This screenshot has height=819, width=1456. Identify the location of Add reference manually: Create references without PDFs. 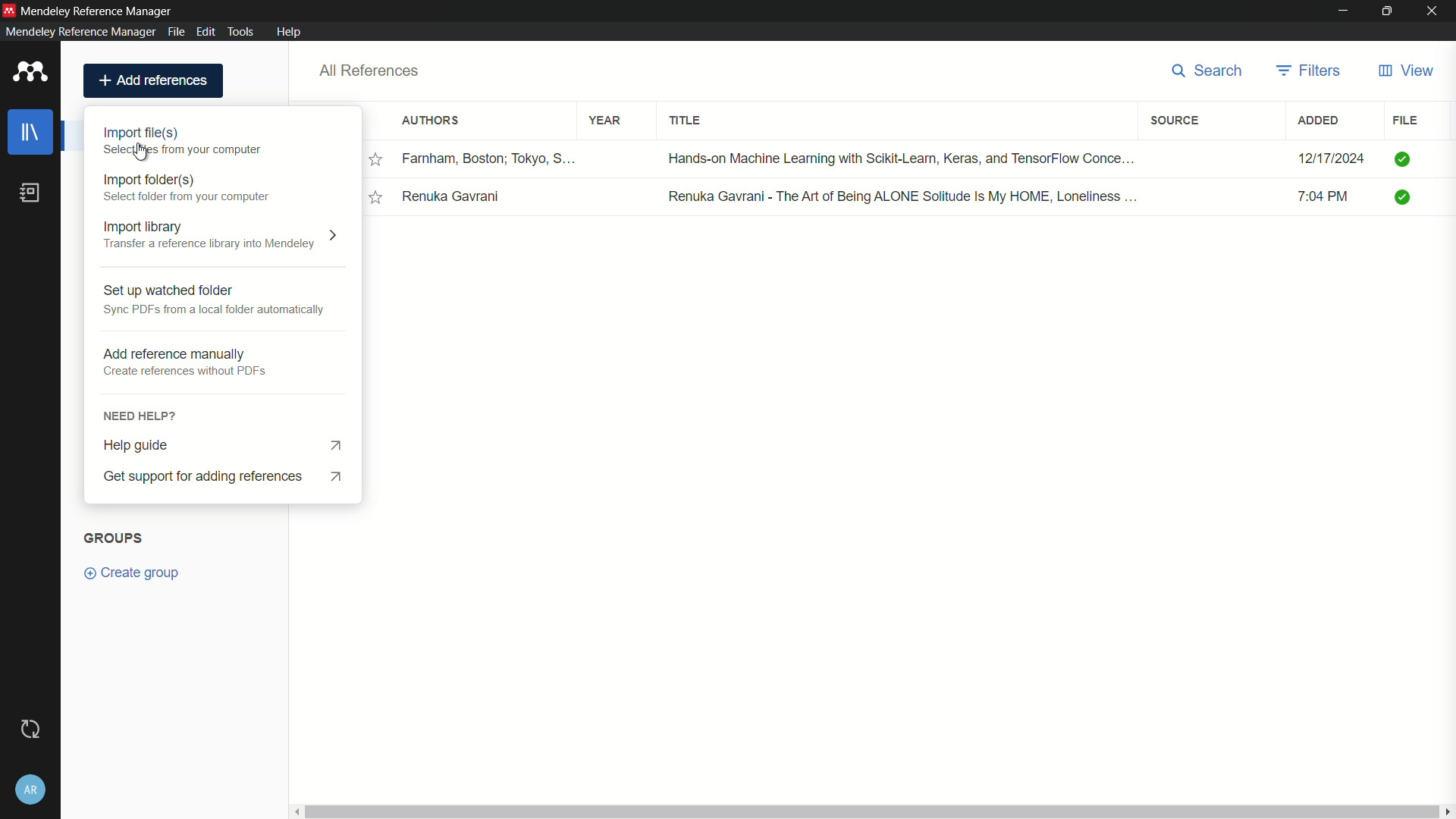
(214, 363).